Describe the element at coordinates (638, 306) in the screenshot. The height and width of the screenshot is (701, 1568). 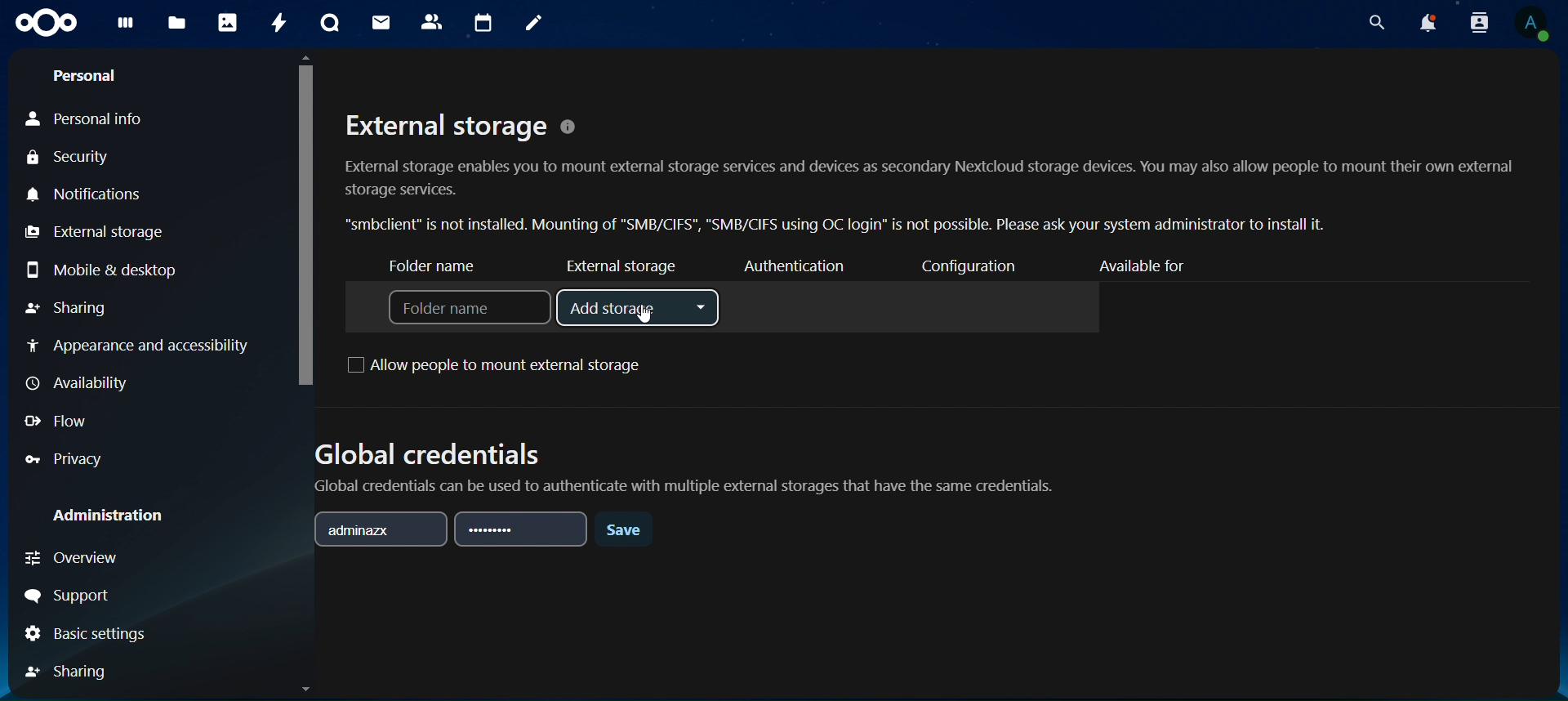
I see `add storage` at that location.